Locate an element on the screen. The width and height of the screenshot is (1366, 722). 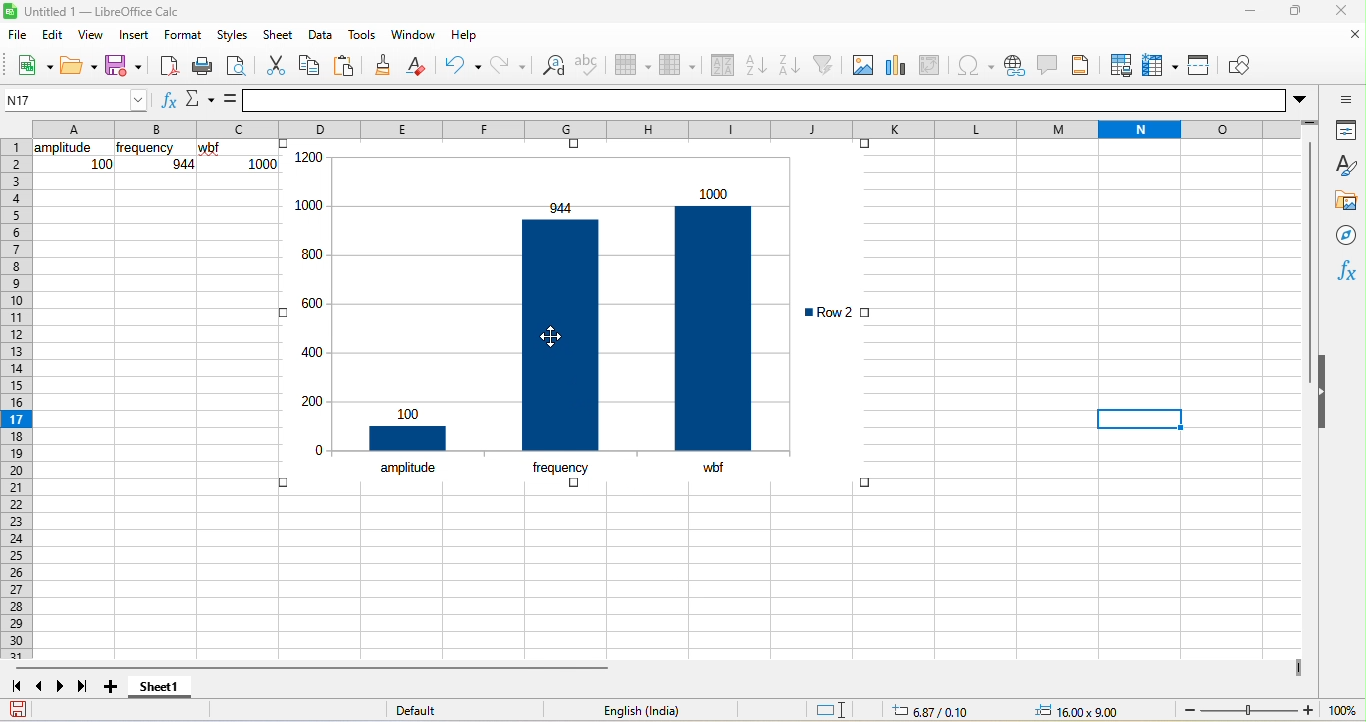
previous sheet is located at coordinates (41, 687).